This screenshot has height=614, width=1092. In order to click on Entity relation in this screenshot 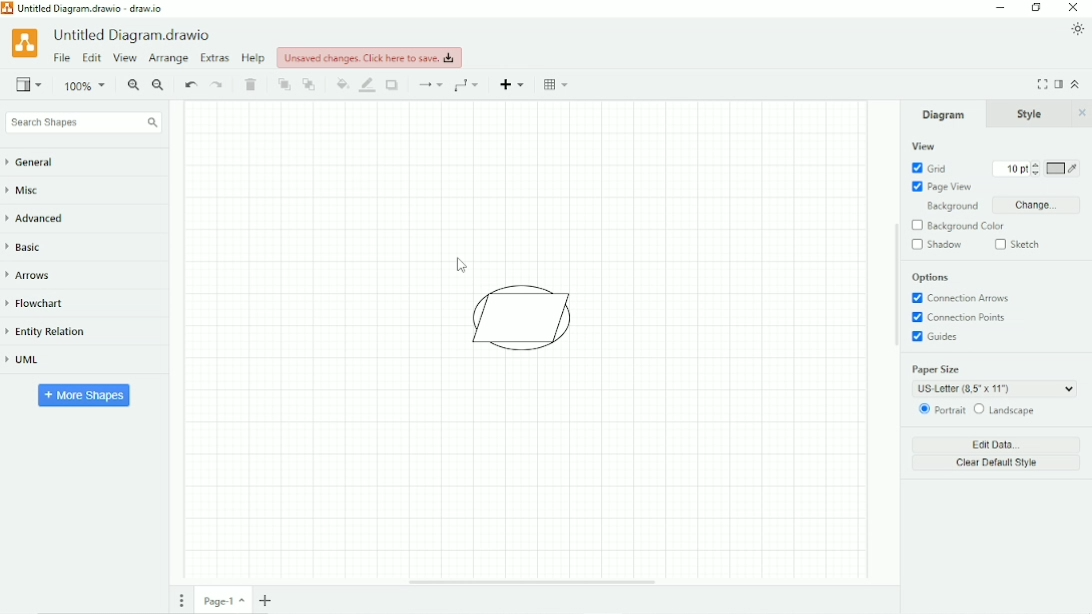, I will do `click(55, 332)`.